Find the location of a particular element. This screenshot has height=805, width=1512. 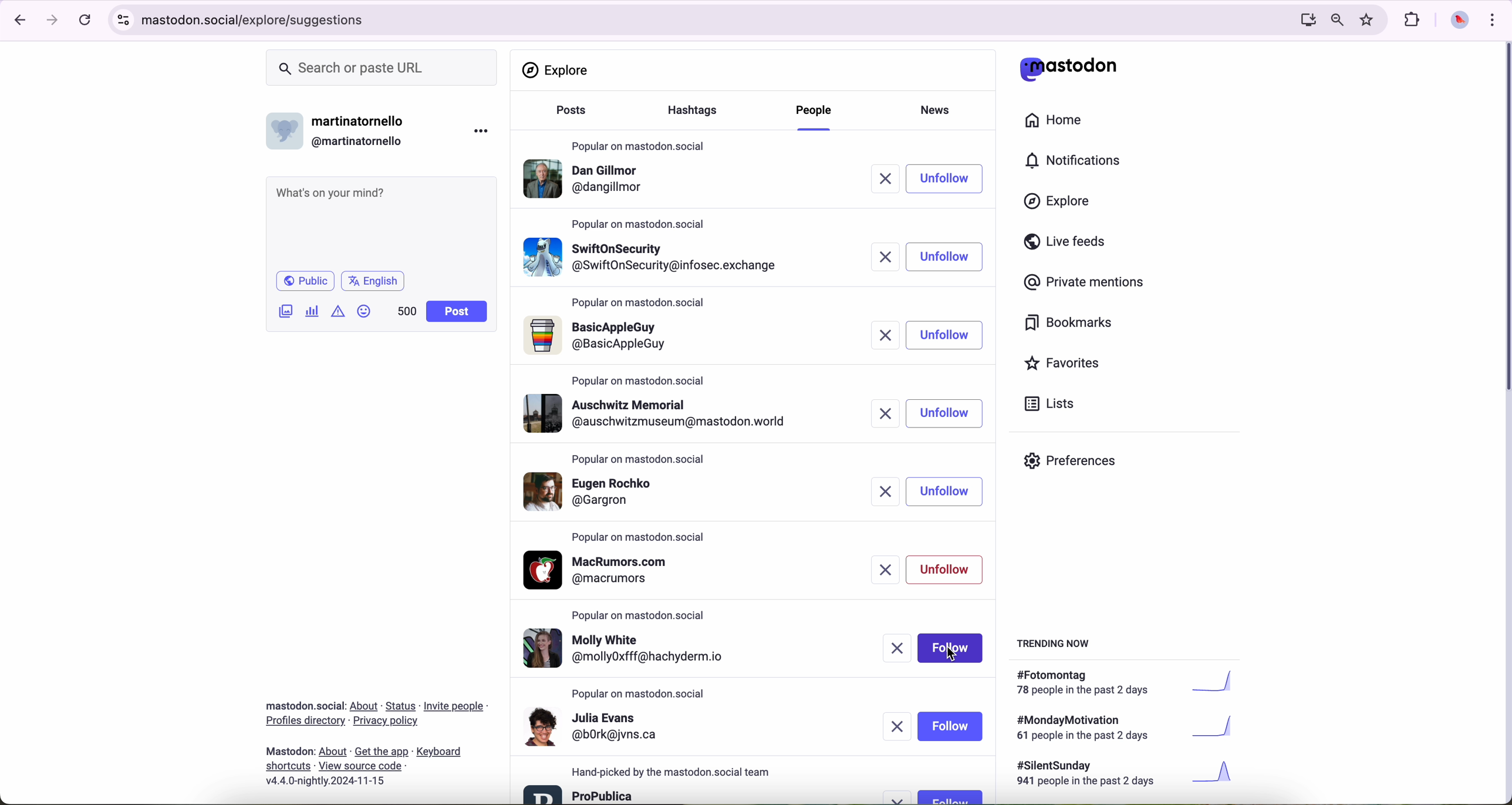

click on explore button is located at coordinates (1060, 207).